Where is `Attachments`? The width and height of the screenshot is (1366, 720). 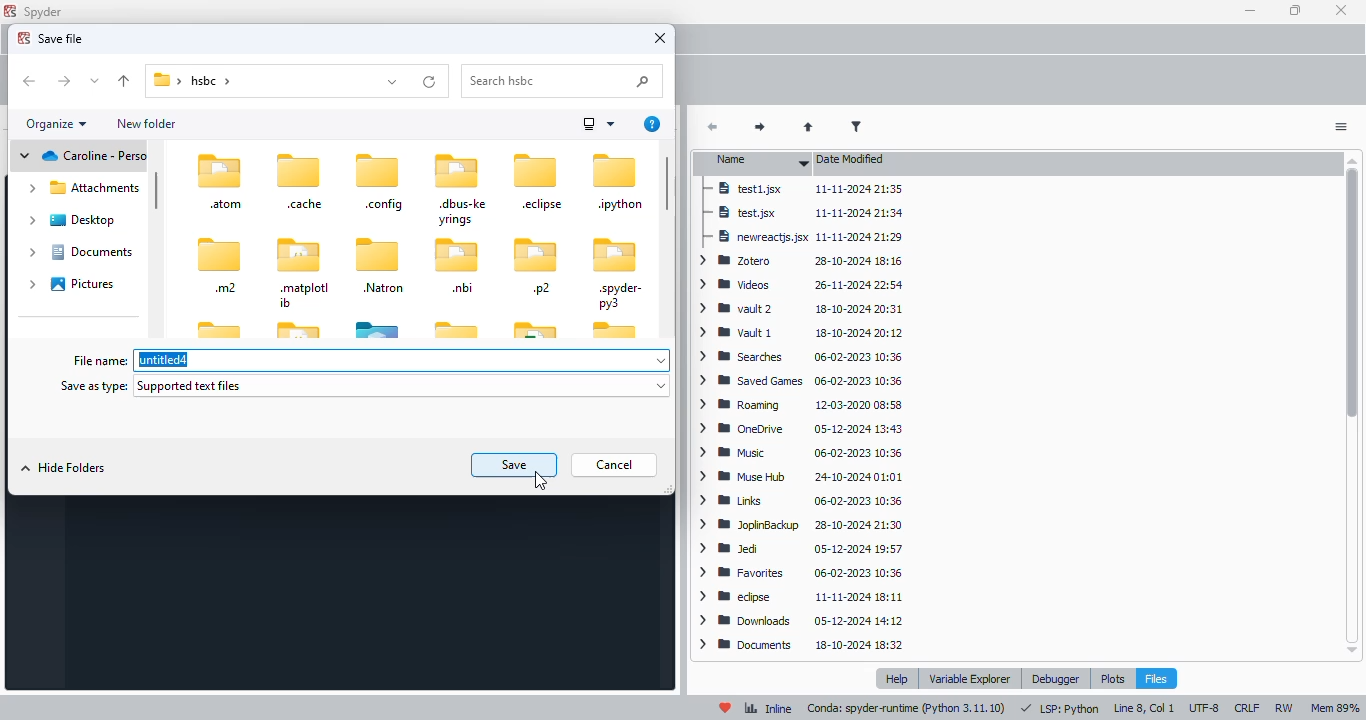 Attachments is located at coordinates (82, 189).